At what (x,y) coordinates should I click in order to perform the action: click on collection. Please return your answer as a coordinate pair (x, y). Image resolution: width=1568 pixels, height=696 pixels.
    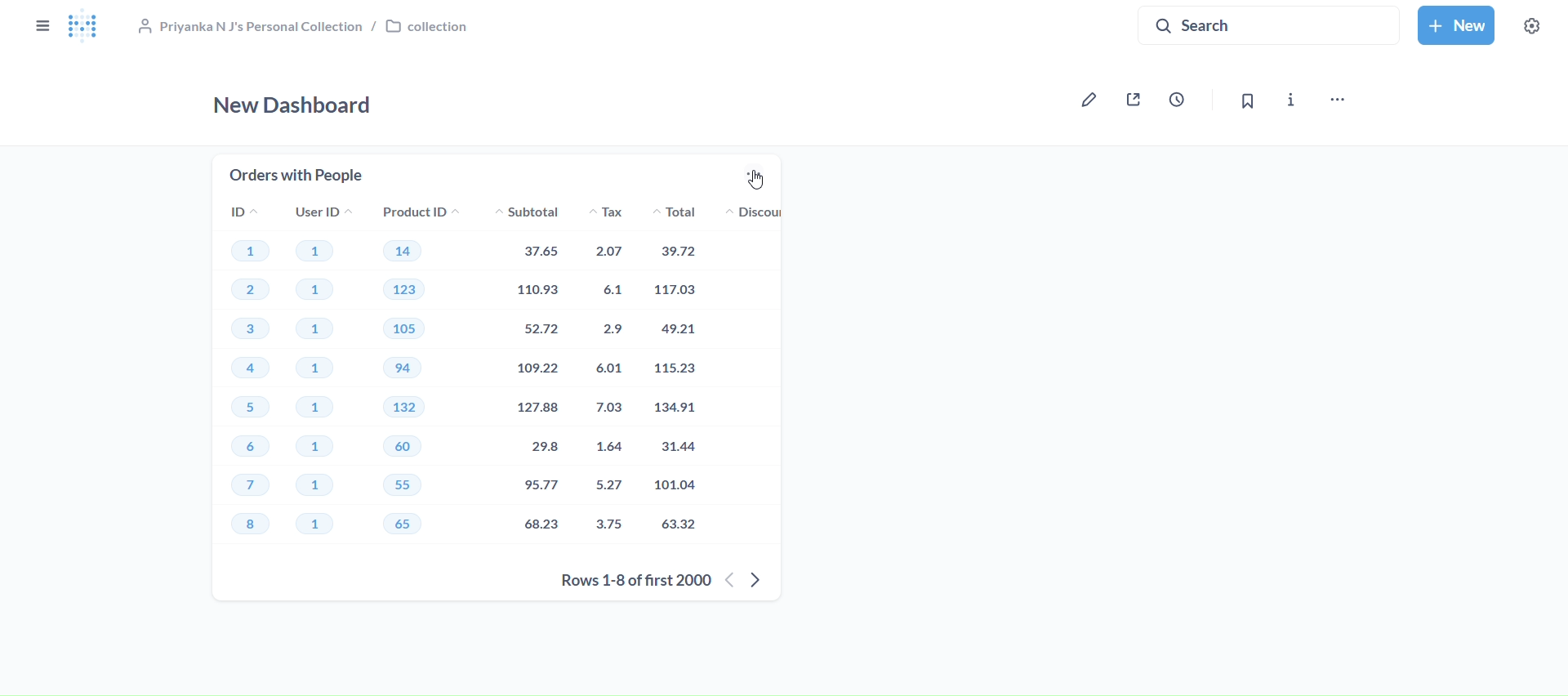
    Looking at the image, I should click on (301, 25).